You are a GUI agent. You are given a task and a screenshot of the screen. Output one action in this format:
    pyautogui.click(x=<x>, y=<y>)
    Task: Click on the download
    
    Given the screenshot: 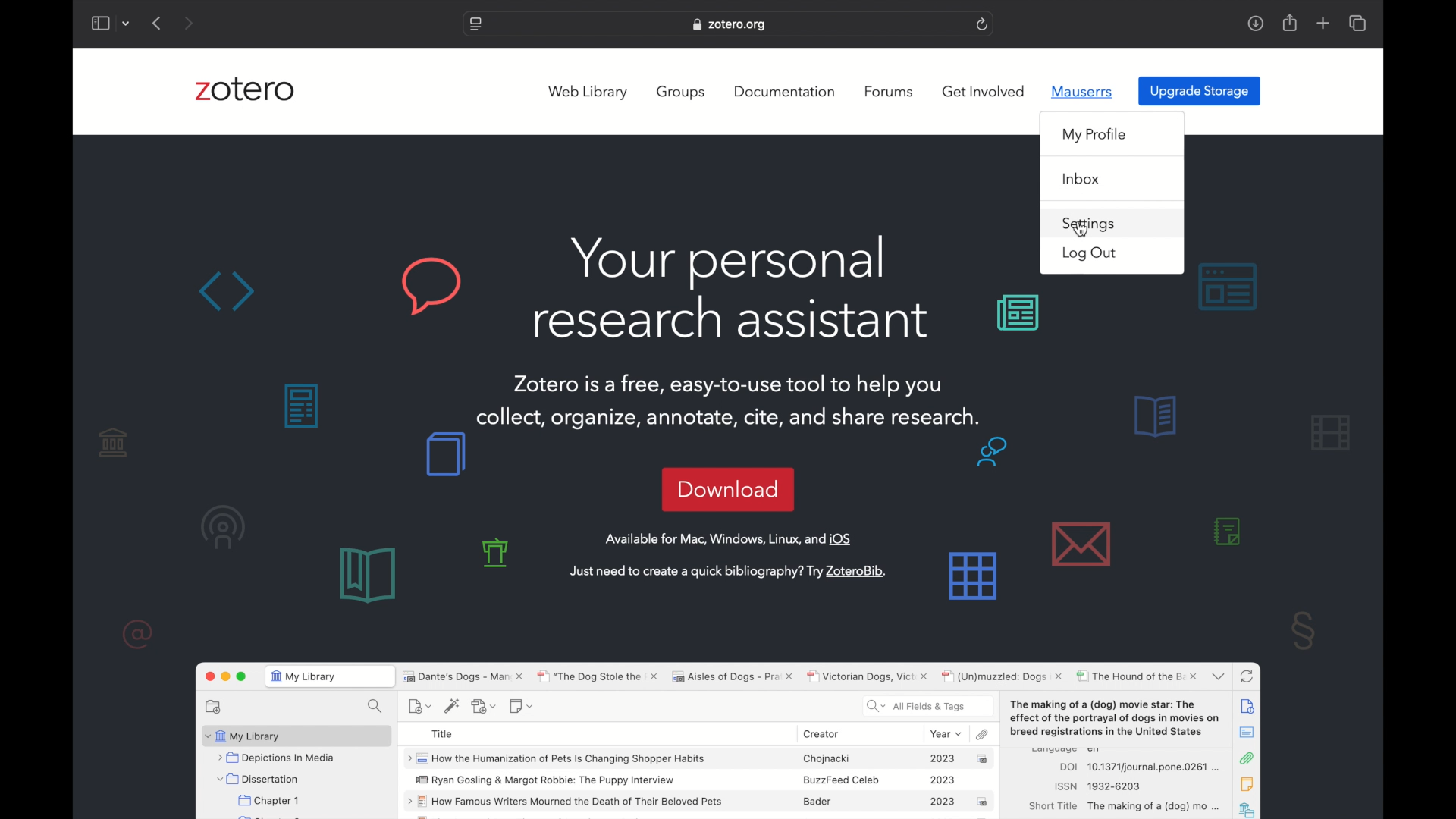 What is the action you would take?
    pyautogui.click(x=728, y=489)
    